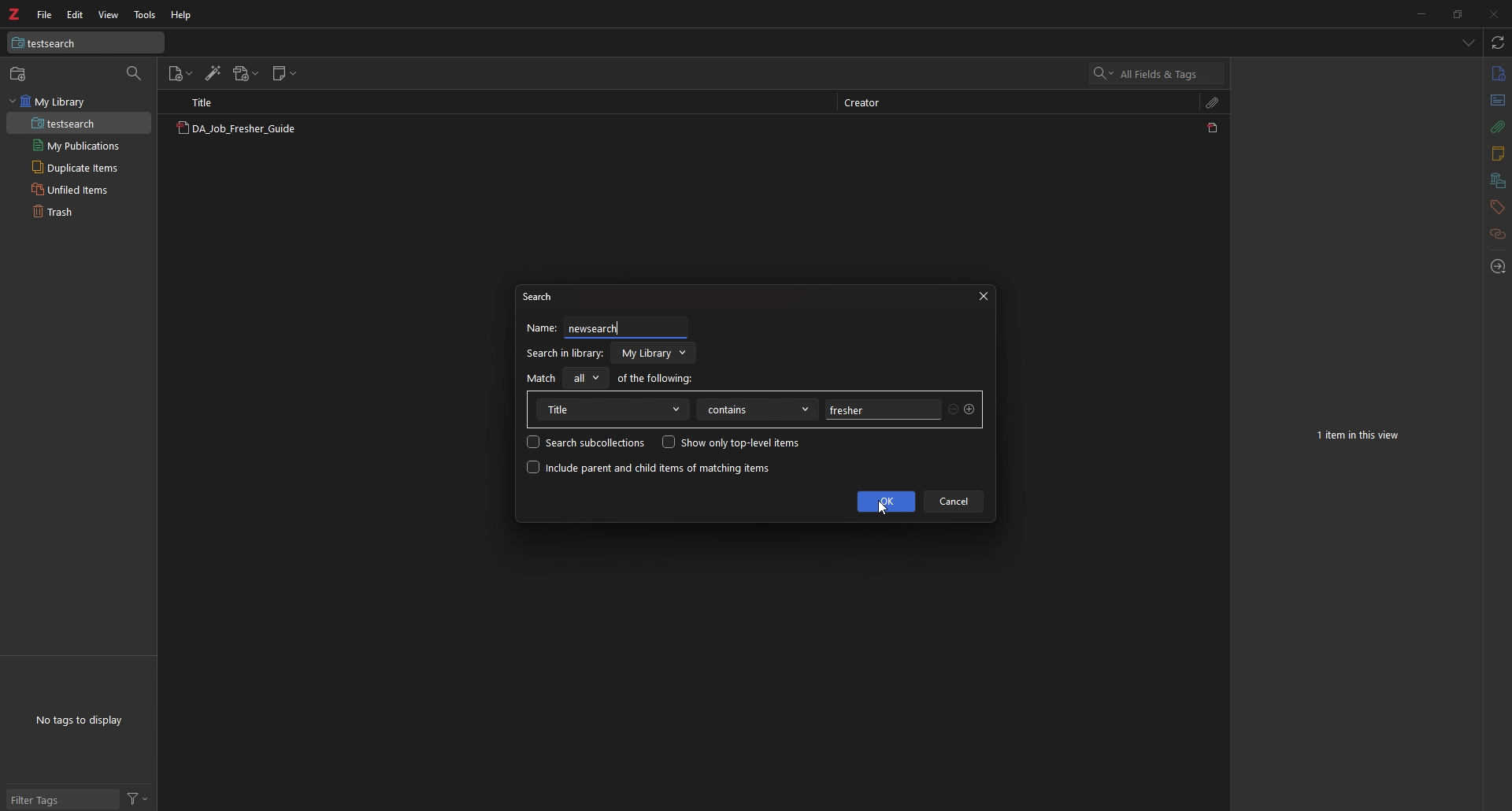 This screenshot has height=811, width=1512. I want to click on my publications, so click(79, 146).